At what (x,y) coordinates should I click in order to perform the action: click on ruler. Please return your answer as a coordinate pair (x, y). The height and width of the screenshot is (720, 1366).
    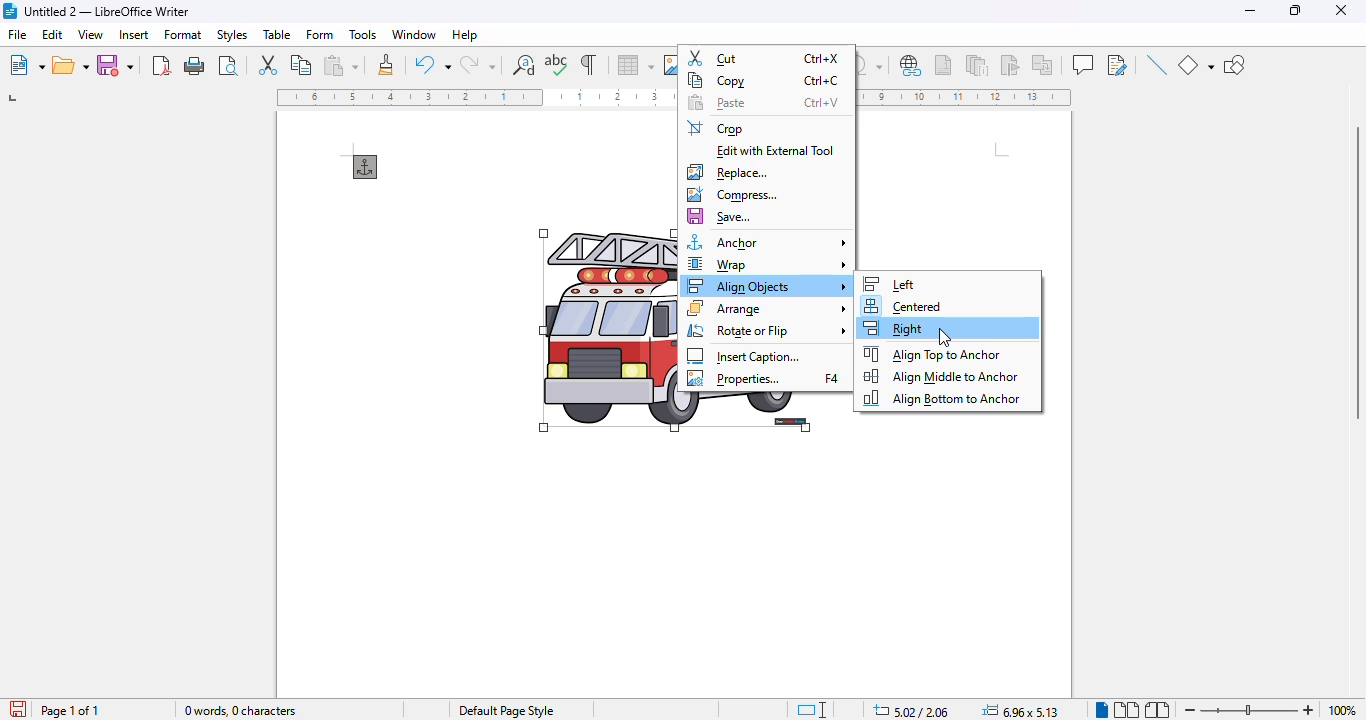
    Looking at the image, I should click on (967, 98).